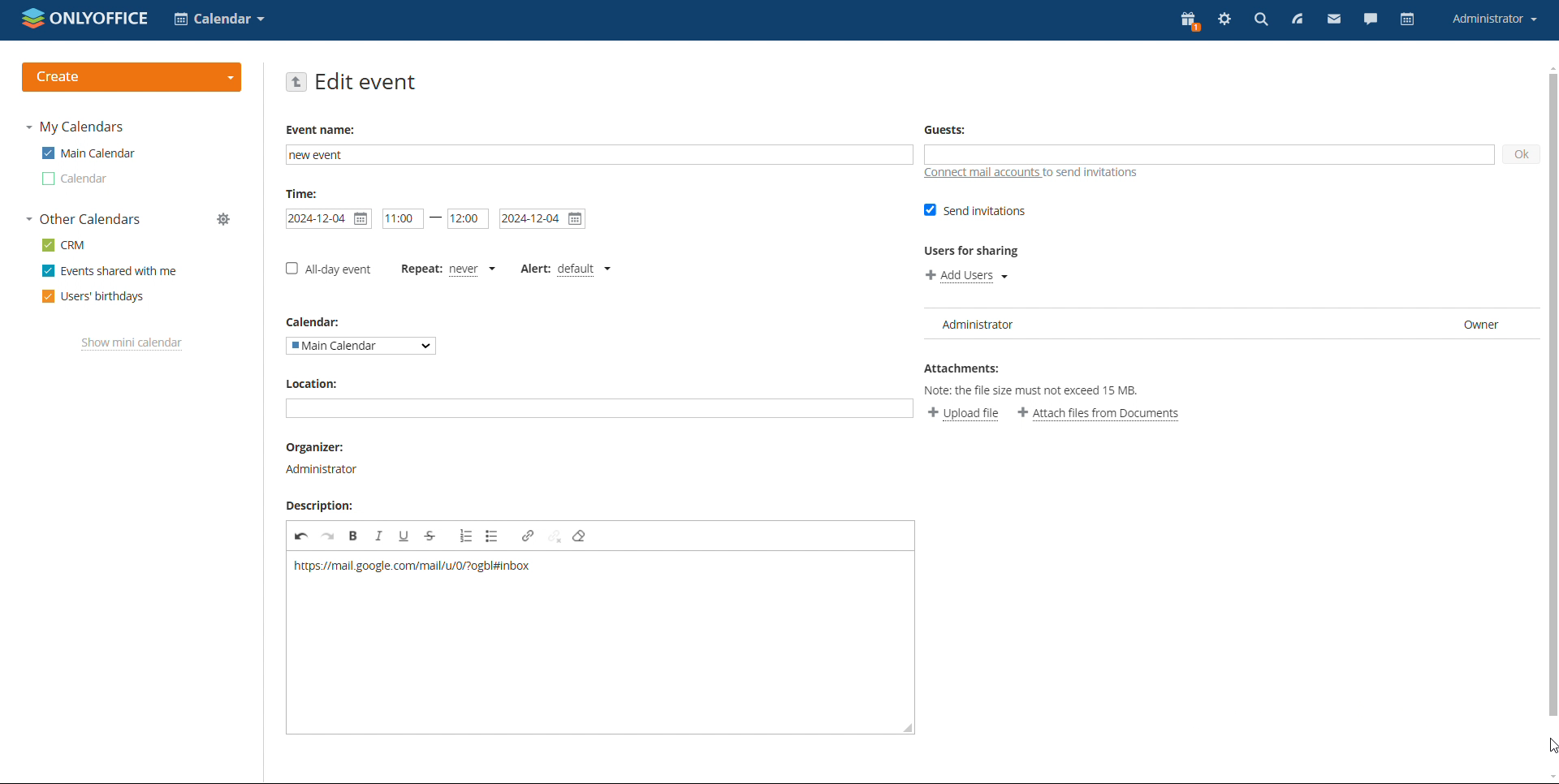  What do you see at coordinates (967, 275) in the screenshot?
I see `add users` at bounding box center [967, 275].